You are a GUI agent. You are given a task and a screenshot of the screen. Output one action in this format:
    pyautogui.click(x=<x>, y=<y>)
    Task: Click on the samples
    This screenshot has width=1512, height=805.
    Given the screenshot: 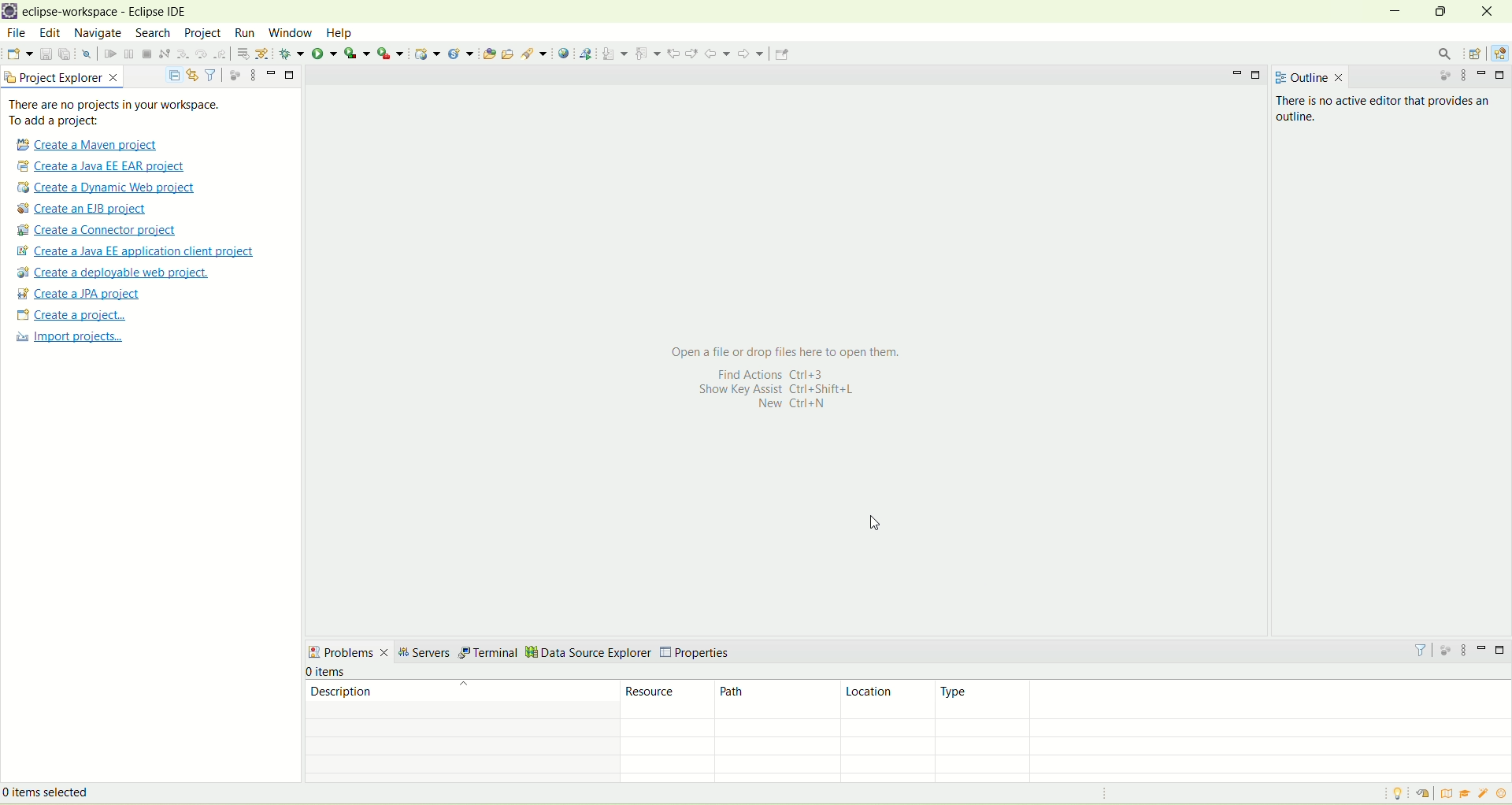 What is the action you would take?
    pyautogui.click(x=1484, y=794)
    